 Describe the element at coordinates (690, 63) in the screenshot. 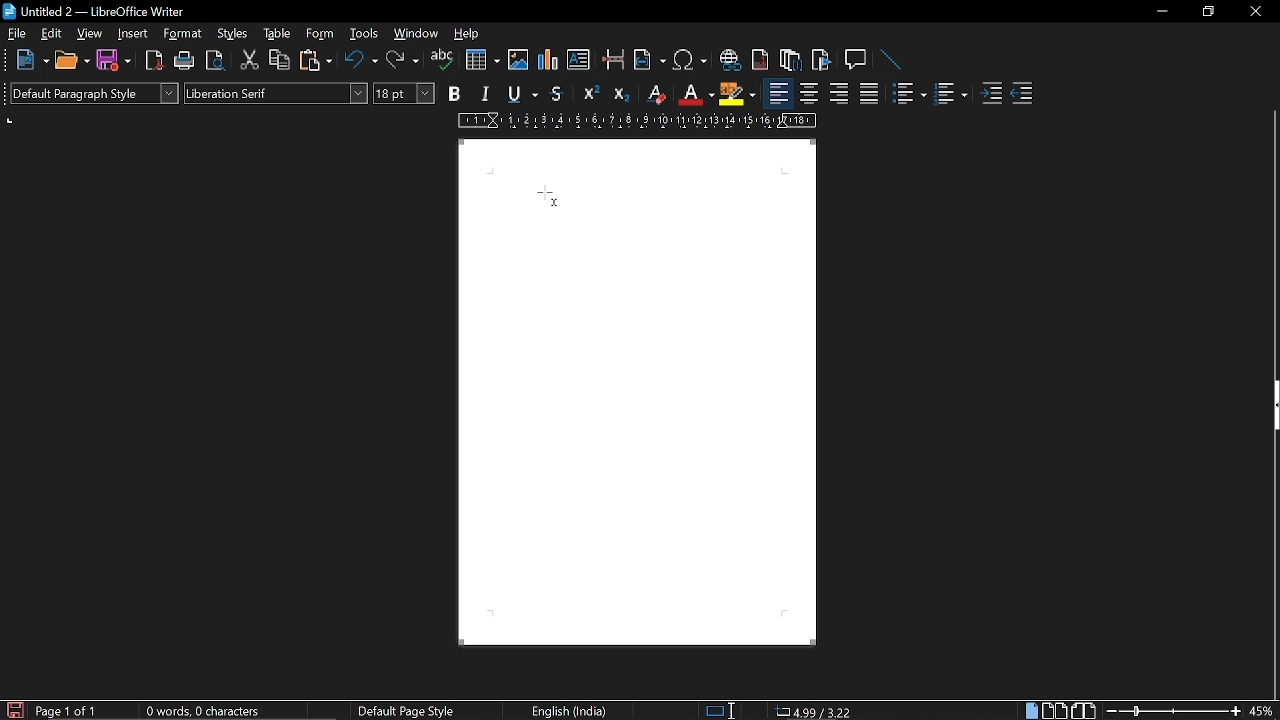

I see `insert symbol` at that location.